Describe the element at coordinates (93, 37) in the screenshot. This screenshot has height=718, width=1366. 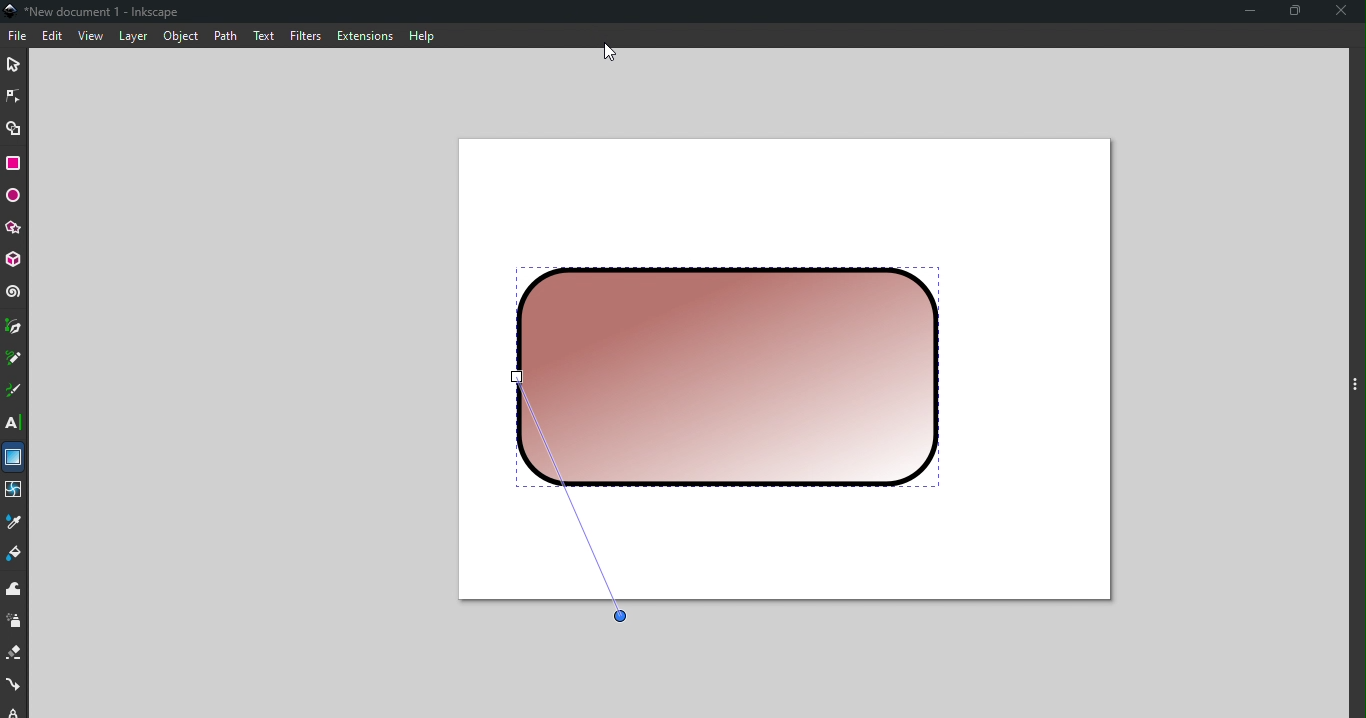
I see `View` at that location.